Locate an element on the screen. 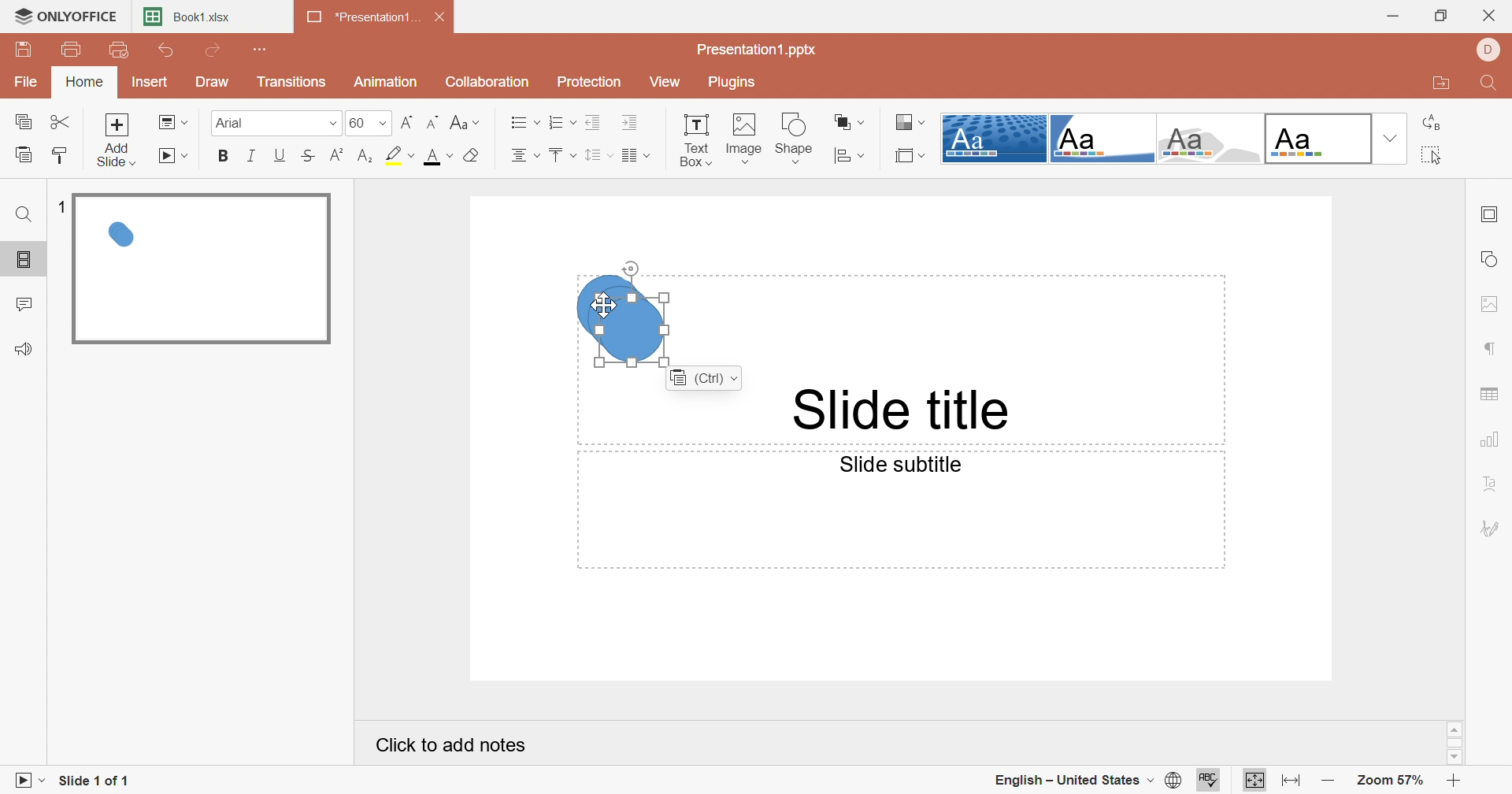  Highlight color is located at coordinates (400, 154).